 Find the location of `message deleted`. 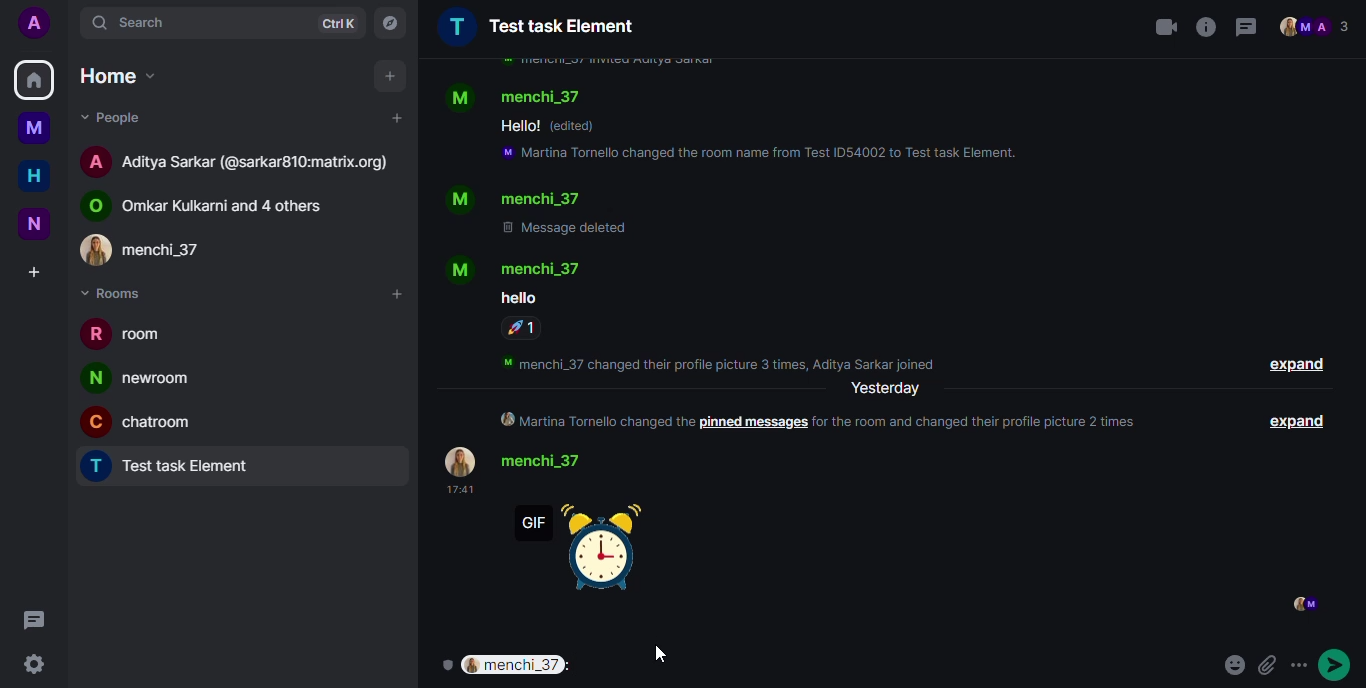

message deleted is located at coordinates (568, 228).